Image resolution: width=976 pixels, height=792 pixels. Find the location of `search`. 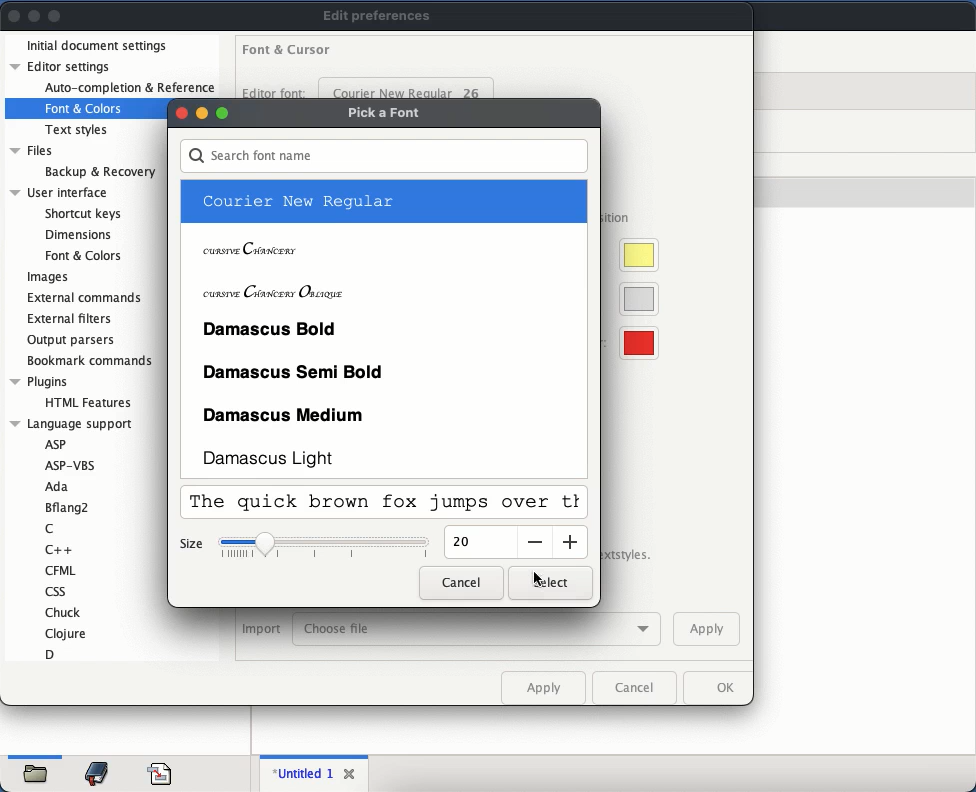

search is located at coordinates (386, 156).